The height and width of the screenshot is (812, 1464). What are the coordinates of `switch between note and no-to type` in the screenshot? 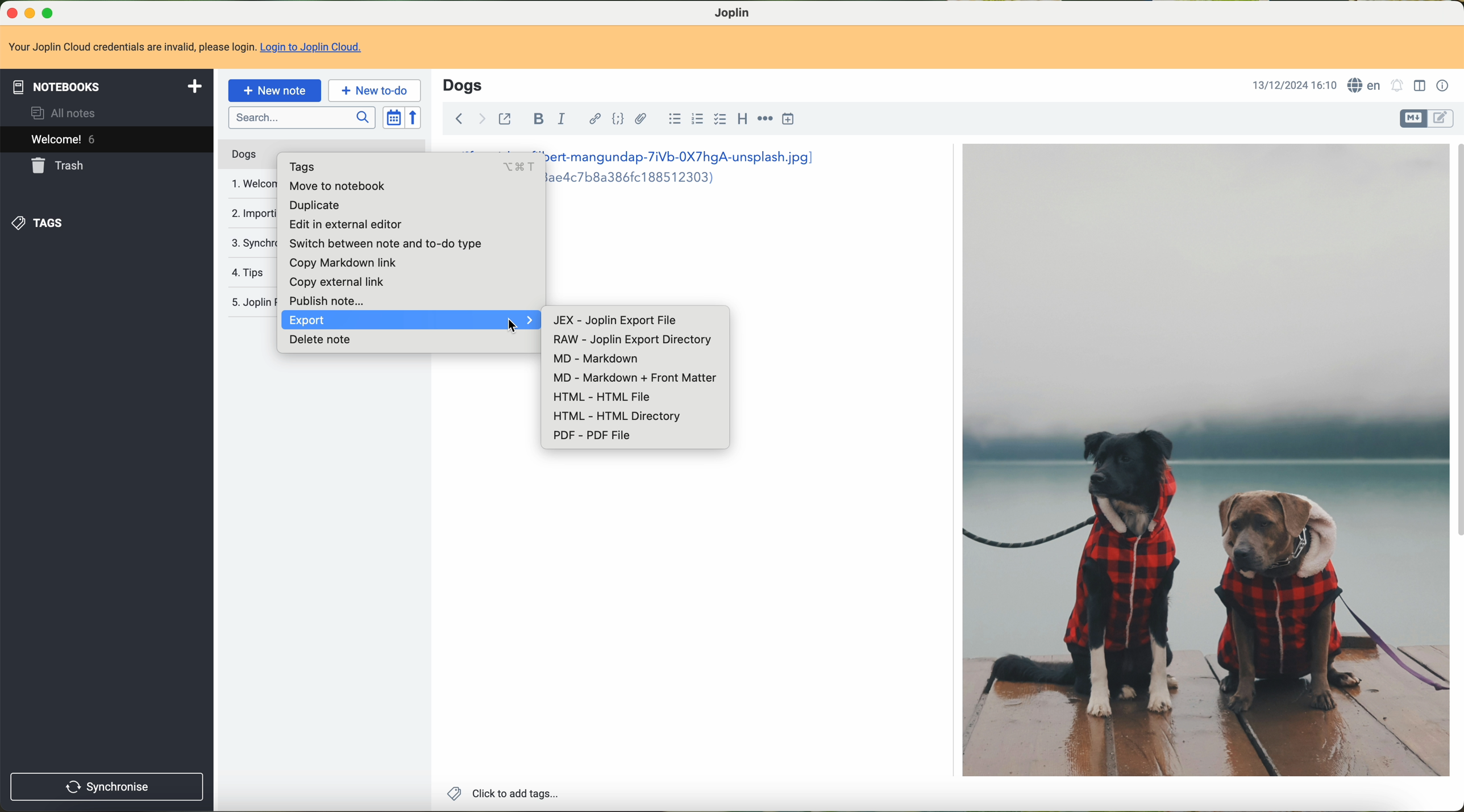 It's located at (385, 244).